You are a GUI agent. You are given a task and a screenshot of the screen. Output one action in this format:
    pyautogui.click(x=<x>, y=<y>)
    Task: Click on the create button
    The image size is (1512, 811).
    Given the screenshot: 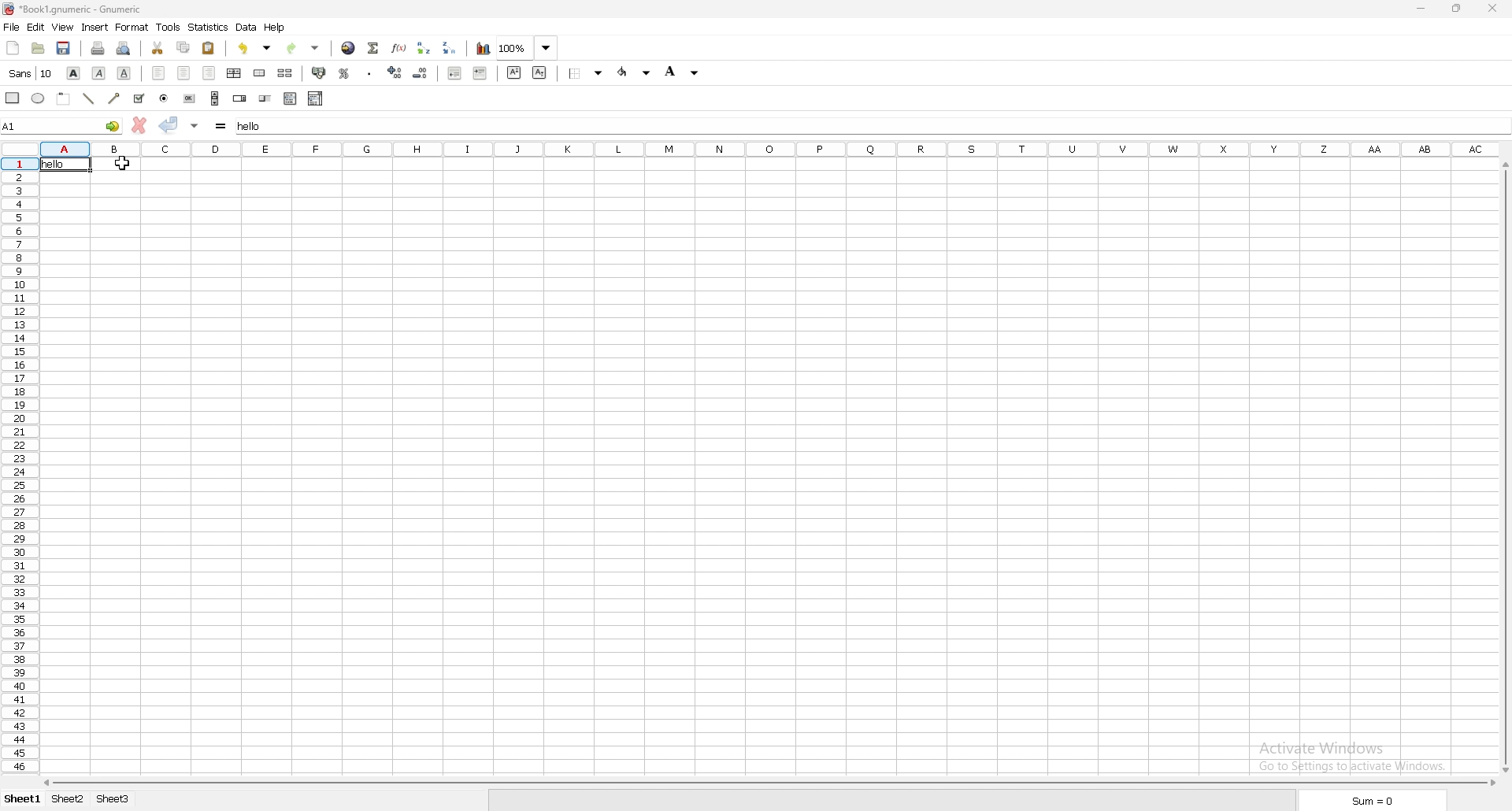 What is the action you would take?
    pyautogui.click(x=190, y=98)
    